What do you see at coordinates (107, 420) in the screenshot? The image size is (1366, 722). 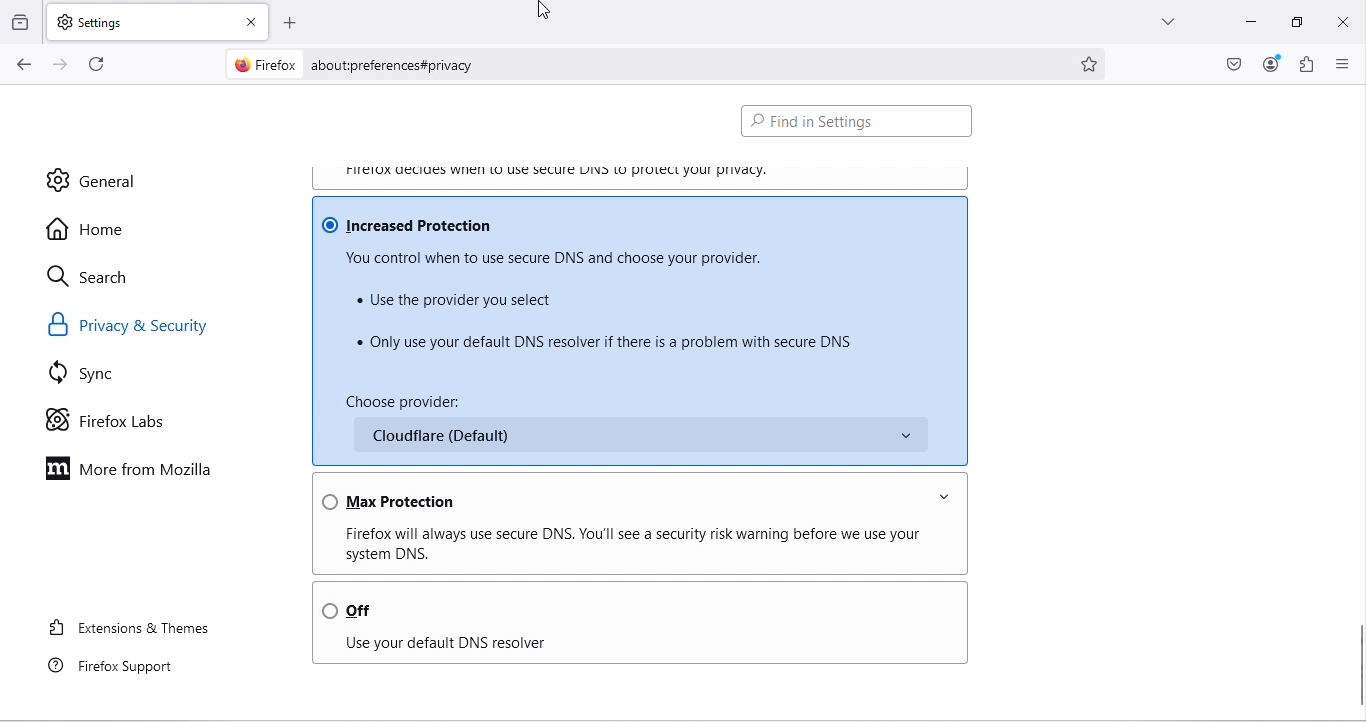 I see `Firefox labs` at bounding box center [107, 420].